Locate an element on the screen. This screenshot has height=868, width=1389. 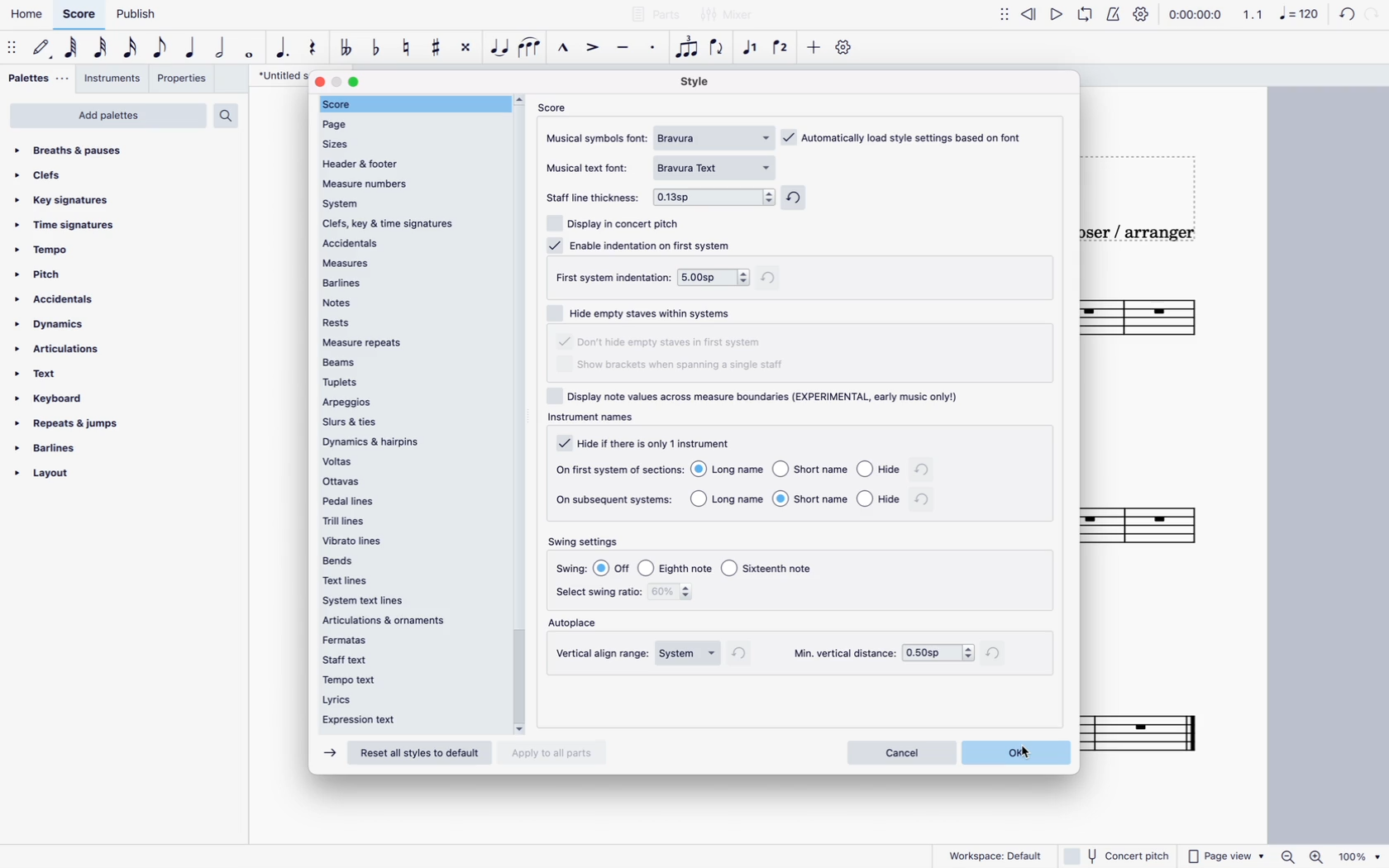
dynamics & harpins is located at coordinates (412, 442).